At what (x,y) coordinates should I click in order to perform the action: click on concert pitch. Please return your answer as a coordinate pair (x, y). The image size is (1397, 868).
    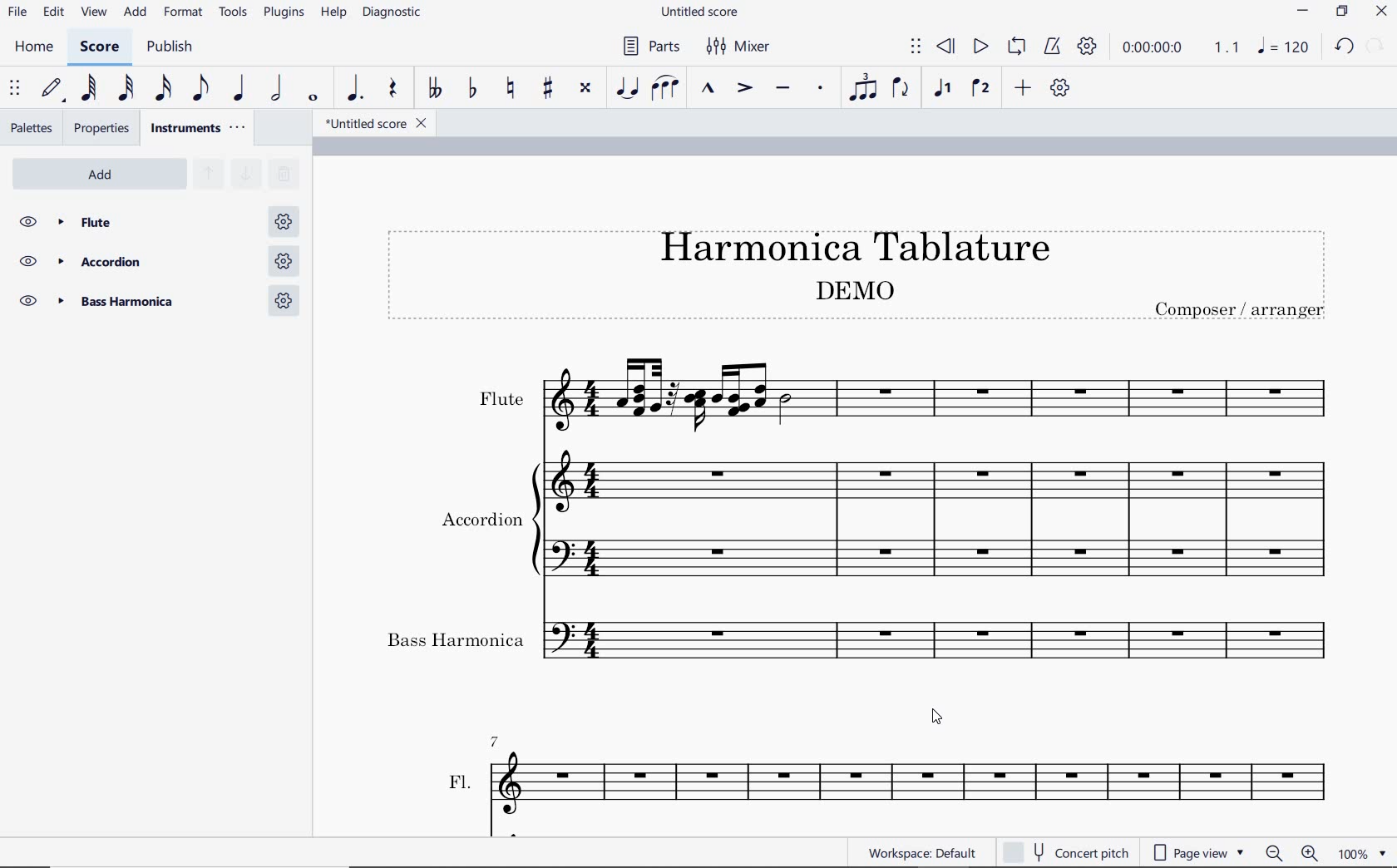
    Looking at the image, I should click on (1083, 854).